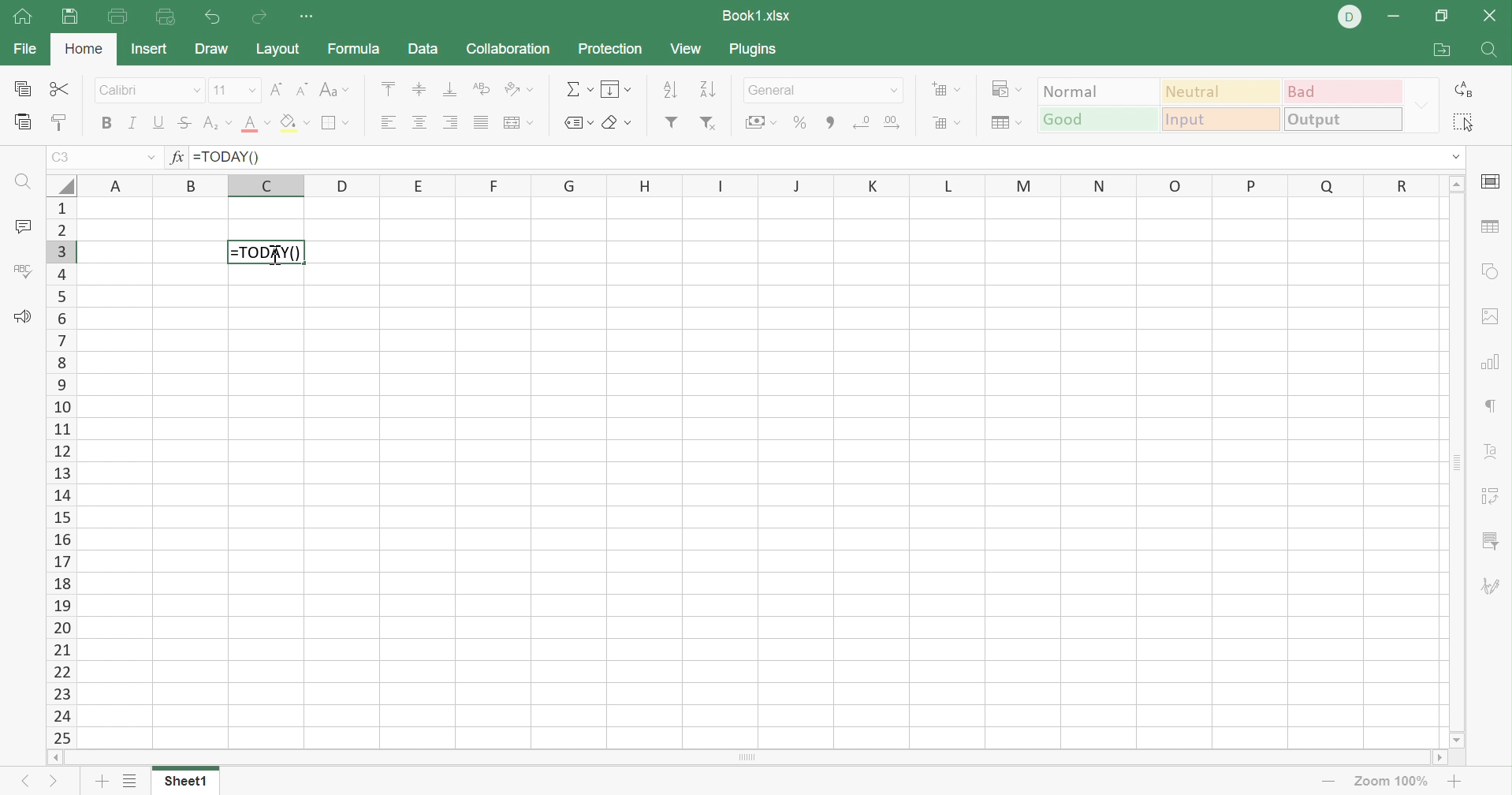  I want to click on Align Center, so click(420, 124).